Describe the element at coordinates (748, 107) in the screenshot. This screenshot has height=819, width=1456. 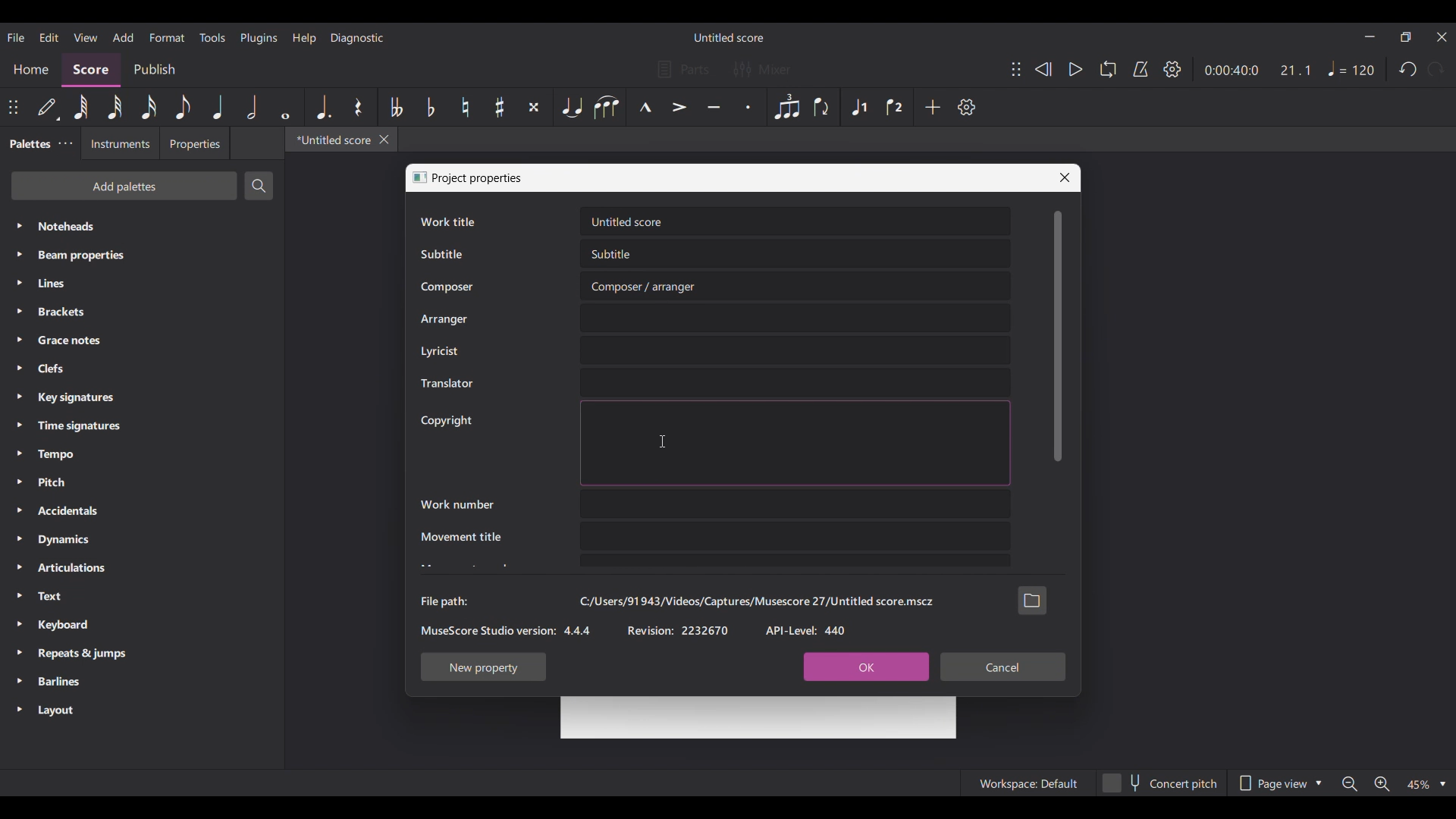
I see `Staccato` at that location.